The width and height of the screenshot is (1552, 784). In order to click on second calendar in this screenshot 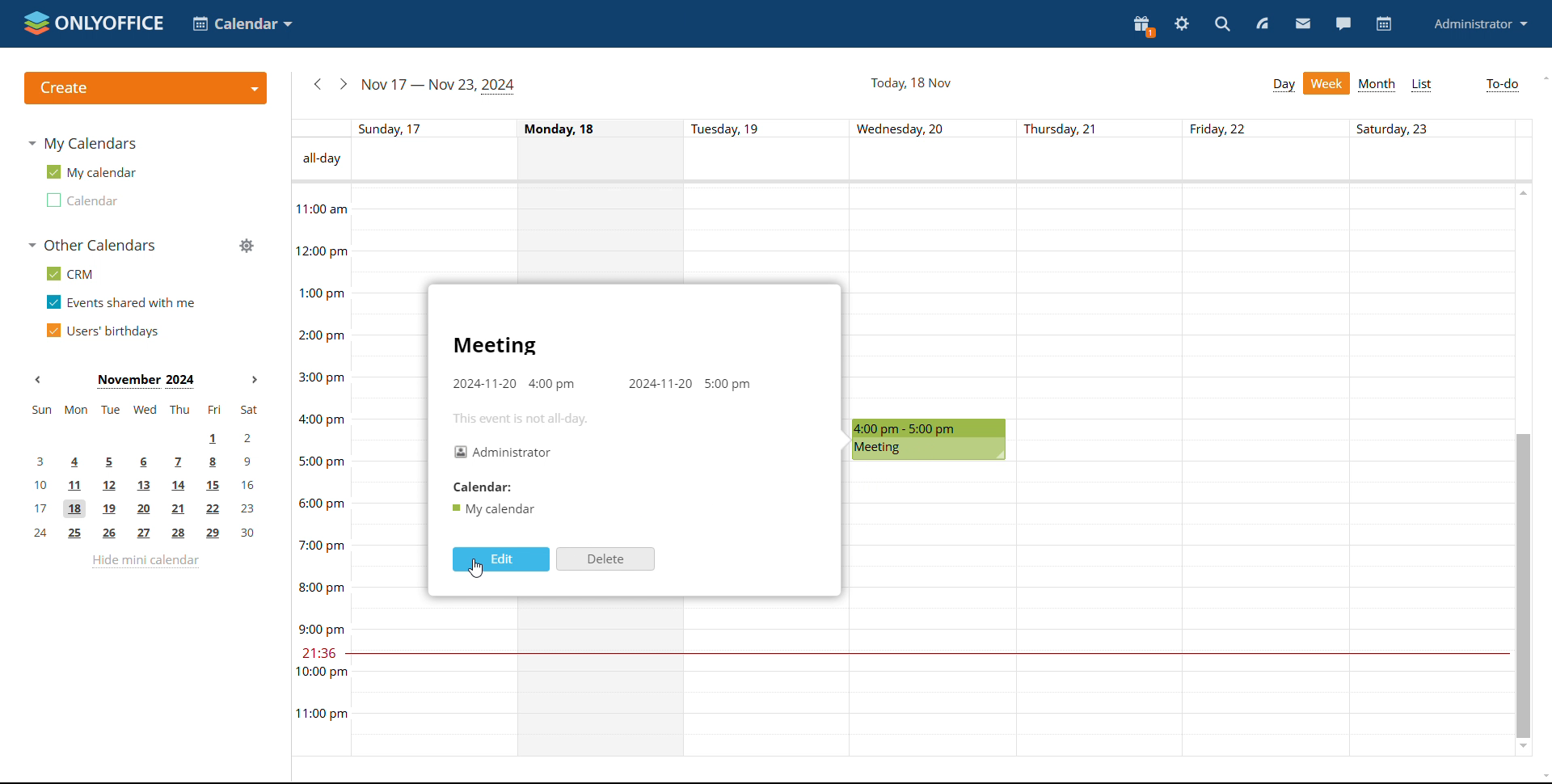, I will do `click(80, 200)`.